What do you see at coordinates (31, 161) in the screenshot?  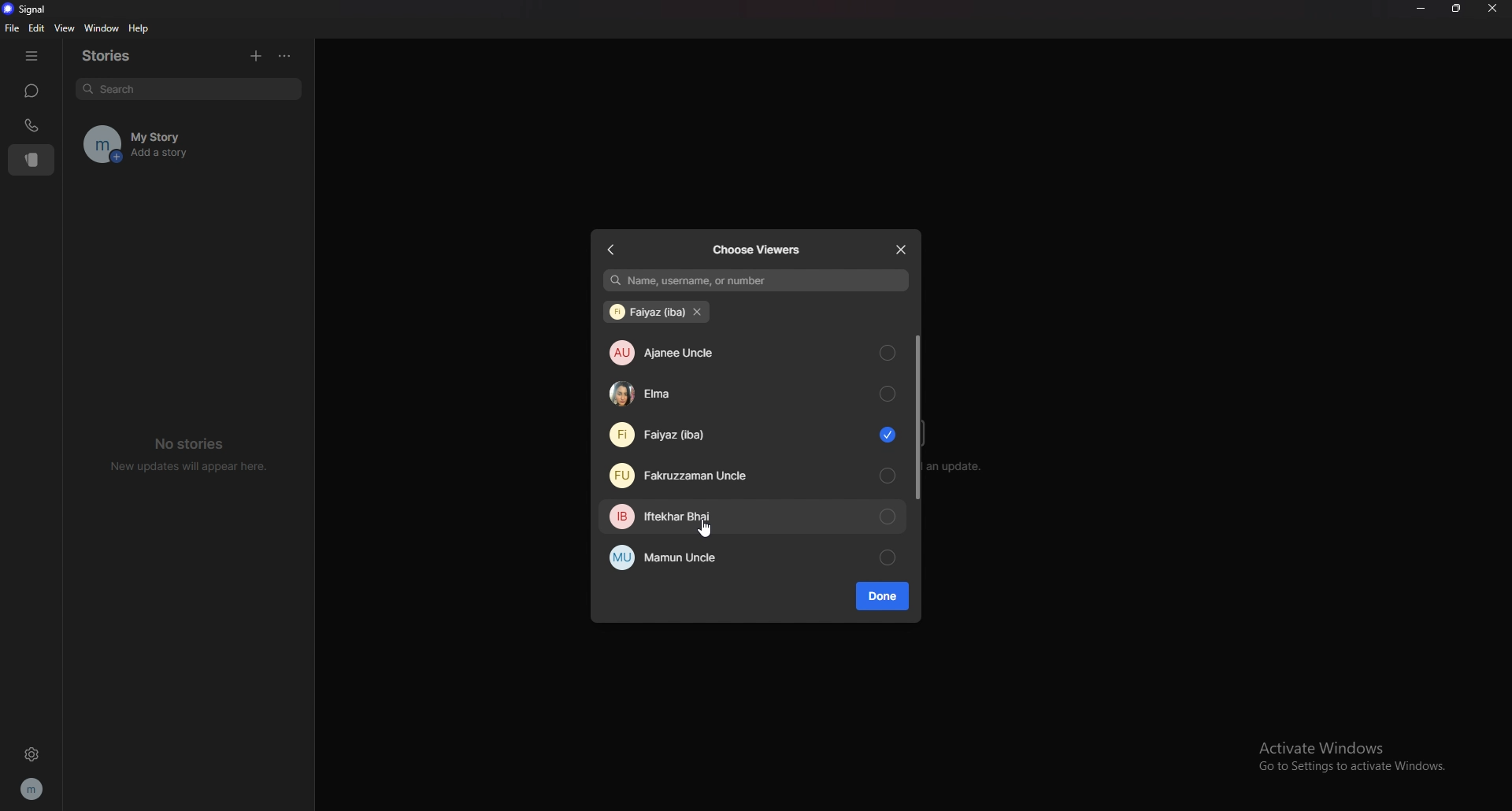 I see `stories` at bounding box center [31, 161].